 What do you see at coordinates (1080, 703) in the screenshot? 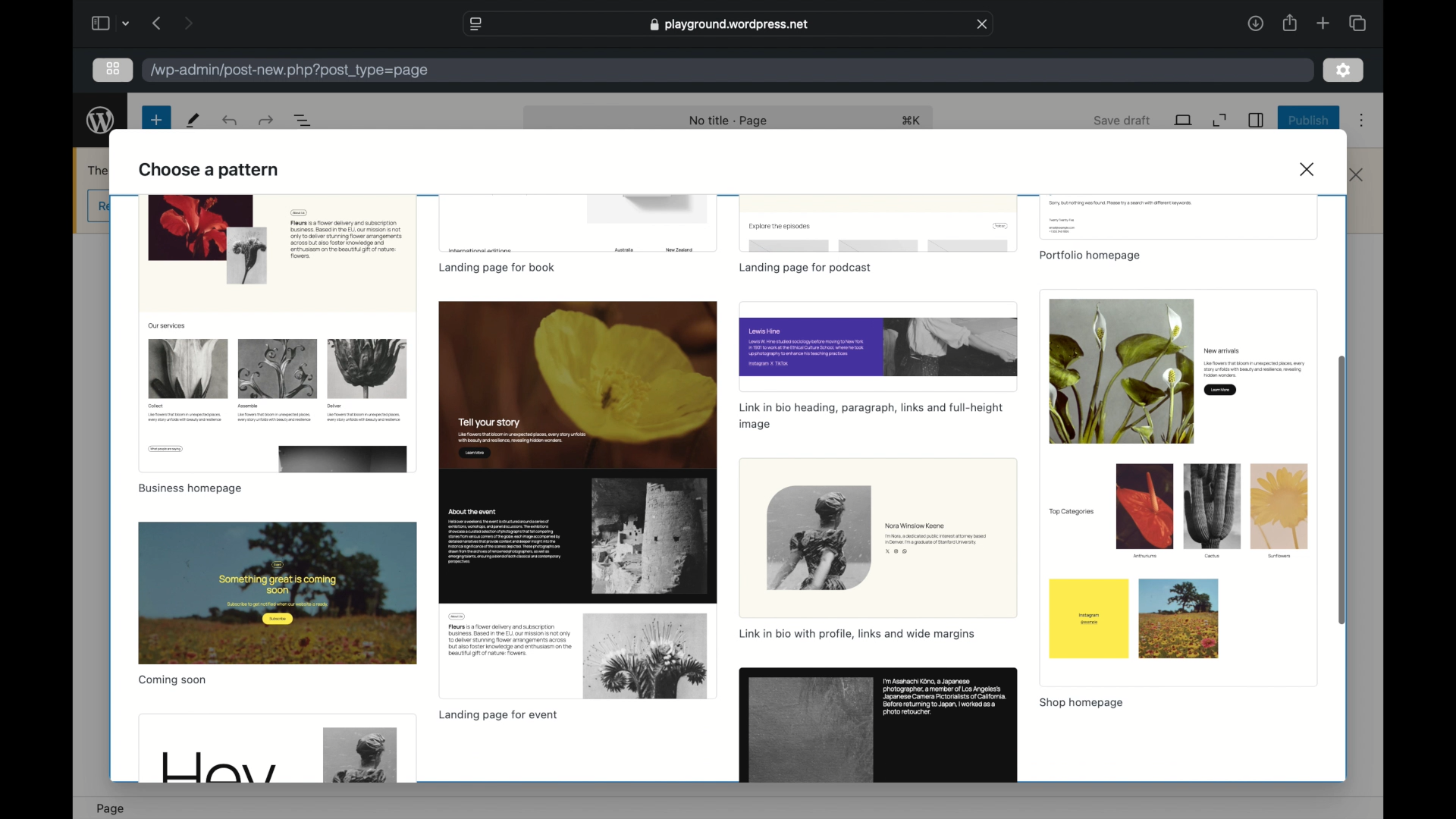
I see `shop homepage` at bounding box center [1080, 703].